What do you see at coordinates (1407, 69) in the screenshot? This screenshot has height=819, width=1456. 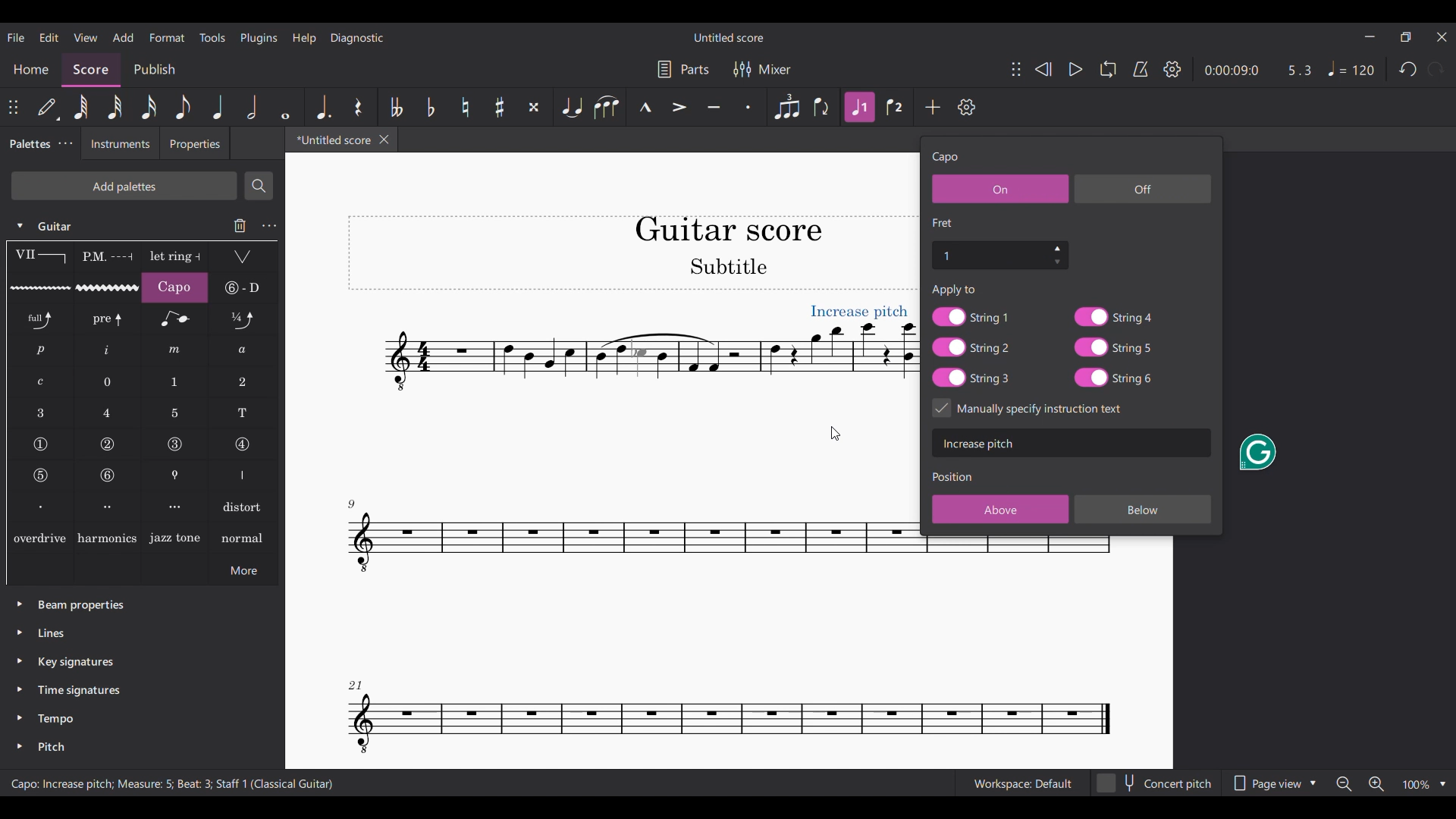 I see `Undo` at bounding box center [1407, 69].